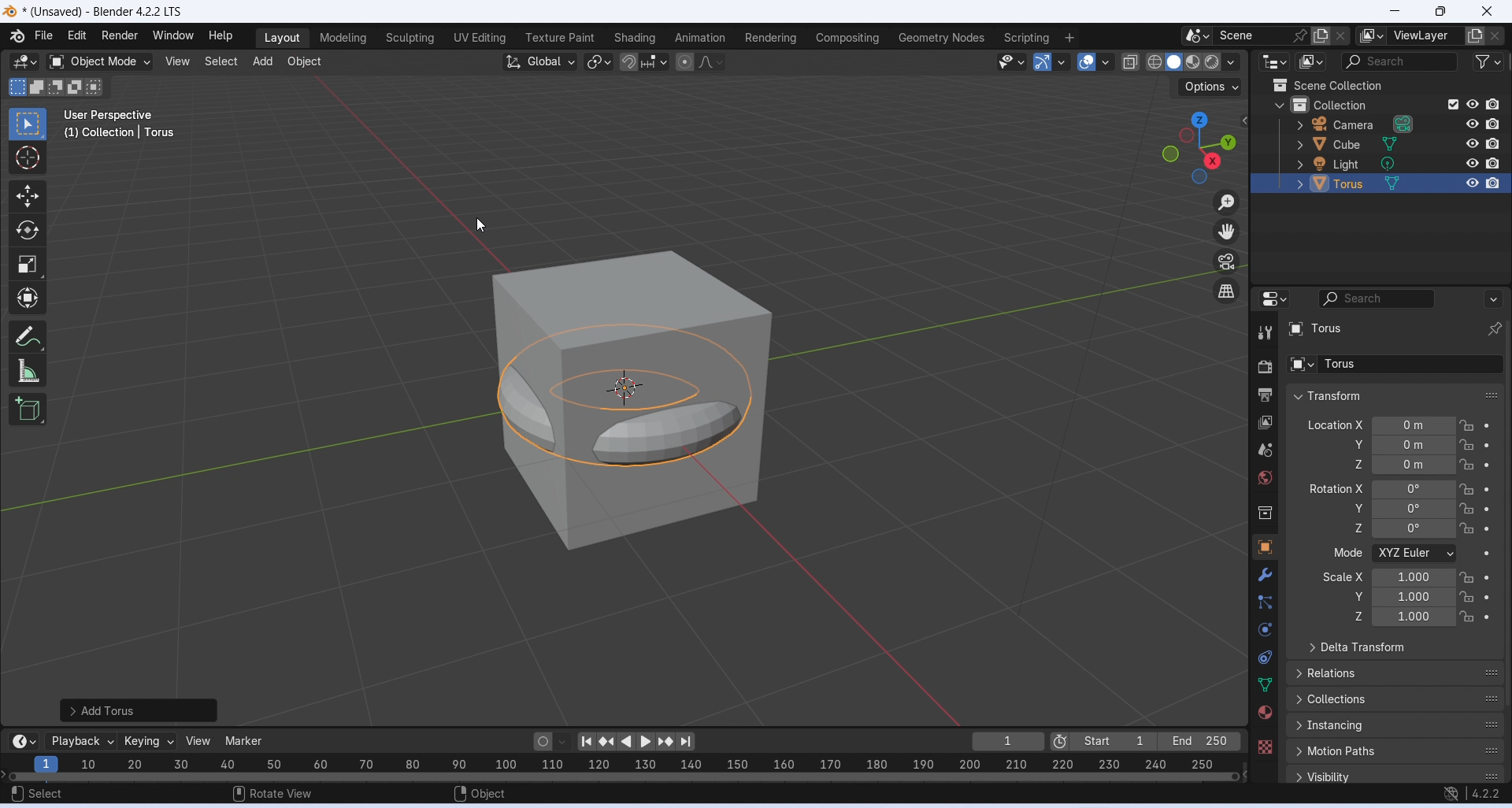  What do you see at coordinates (78, 35) in the screenshot?
I see `Edit` at bounding box center [78, 35].